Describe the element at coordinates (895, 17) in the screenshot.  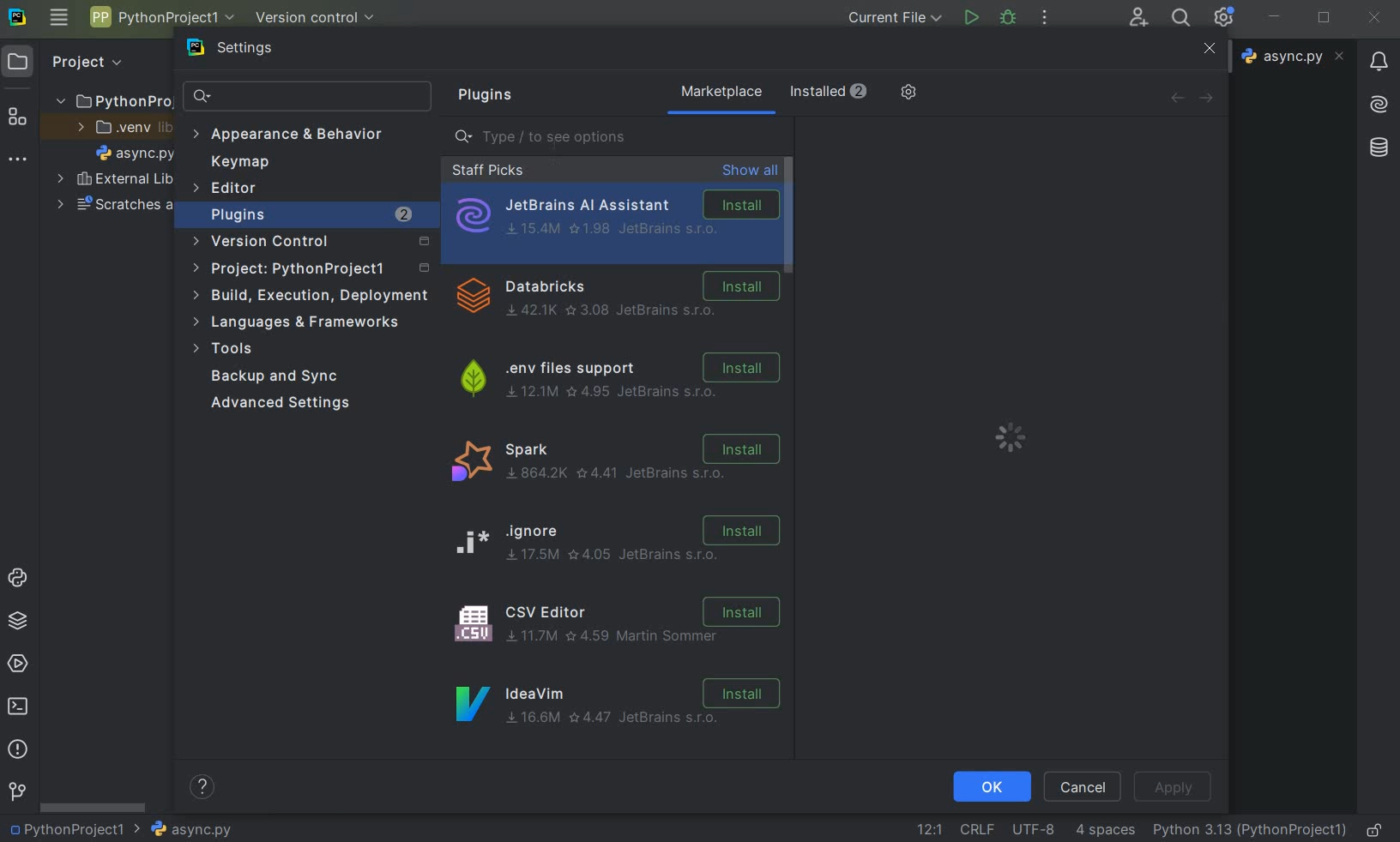
I see `current file` at that location.